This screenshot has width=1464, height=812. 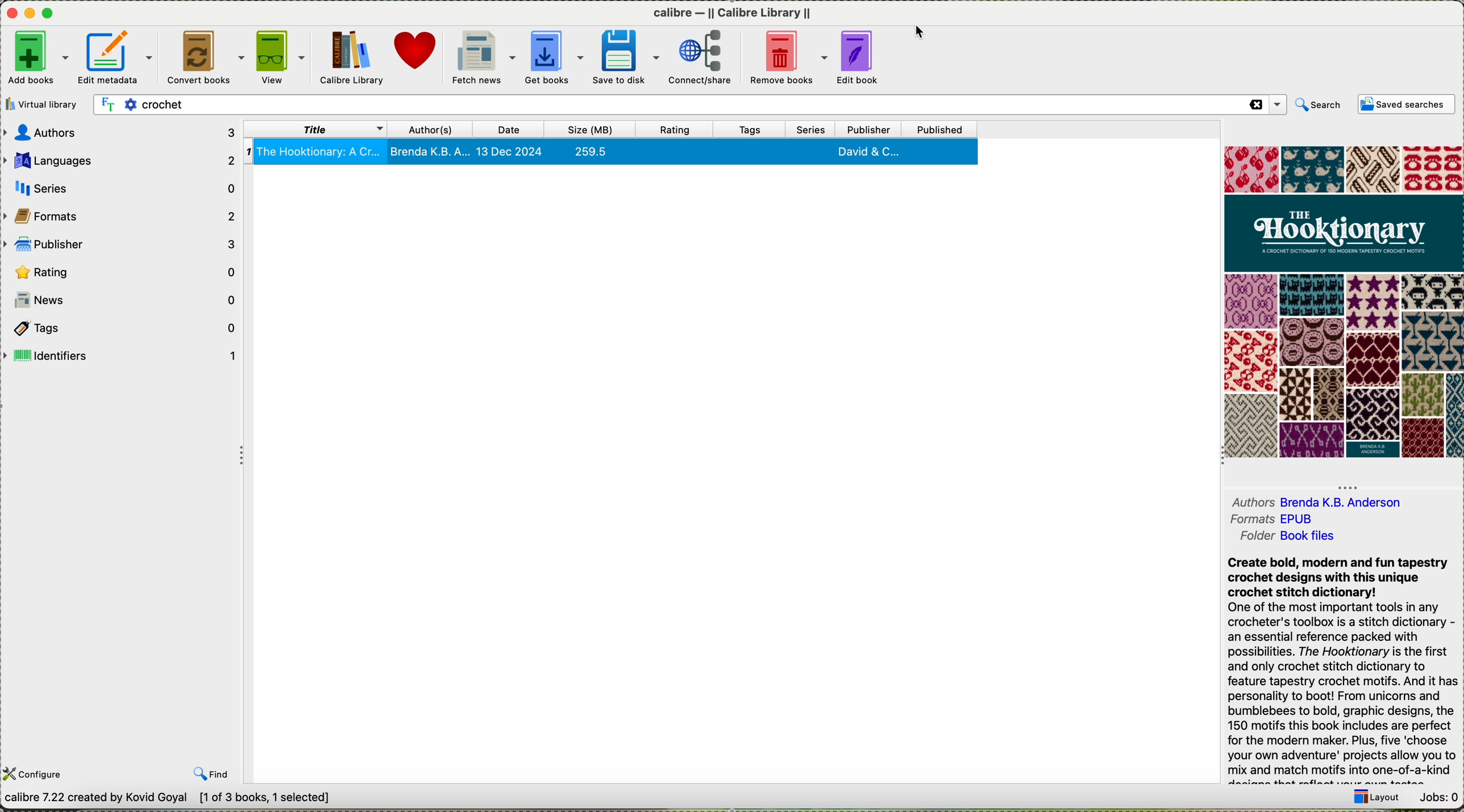 What do you see at coordinates (786, 56) in the screenshot?
I see `remove books` at bounding box center [786, 56].